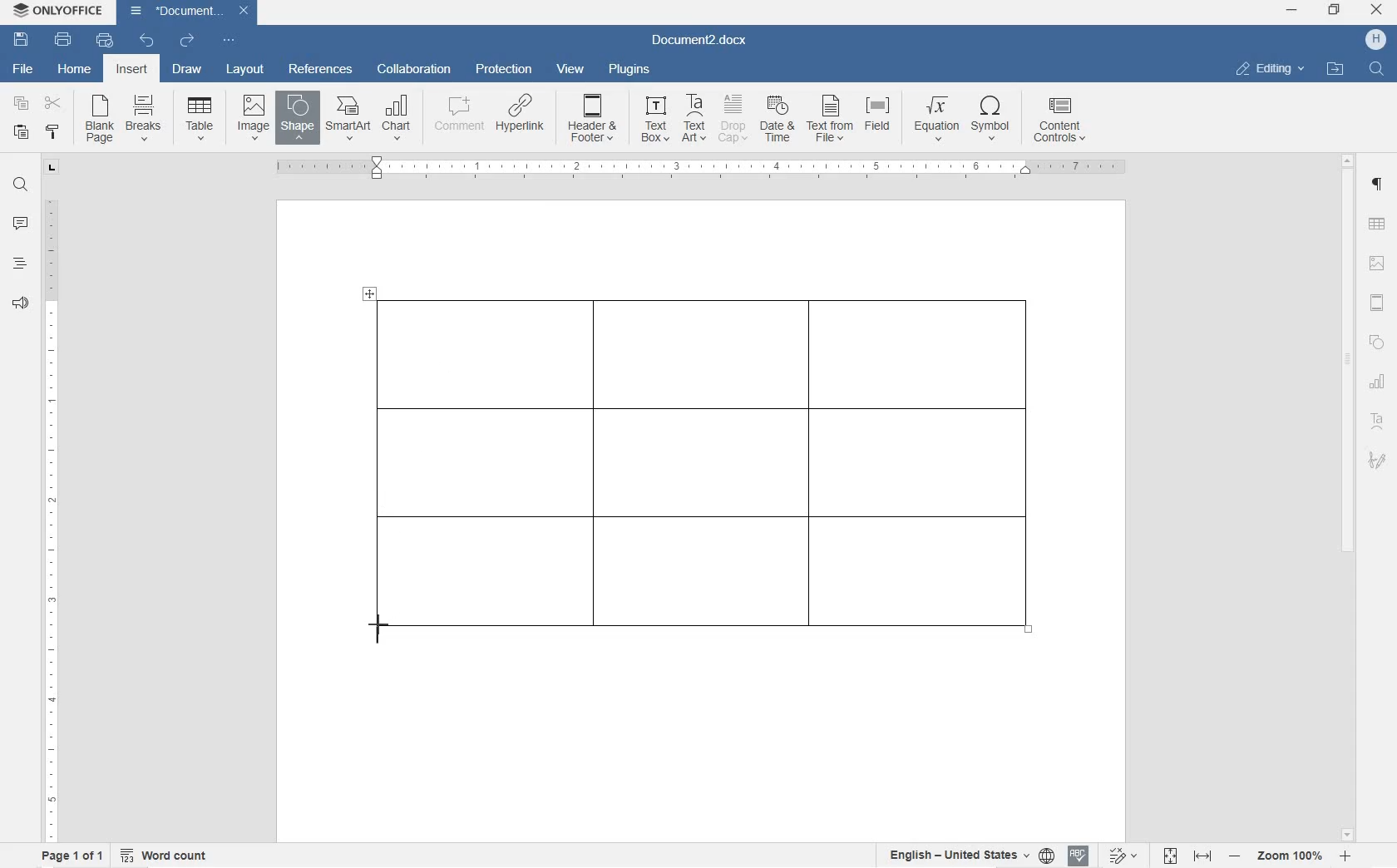 The image size is (1397, 868). What do you see at coordinates (320, 69) in the screenshot?
I see `references` at bounding box center [320, 69].